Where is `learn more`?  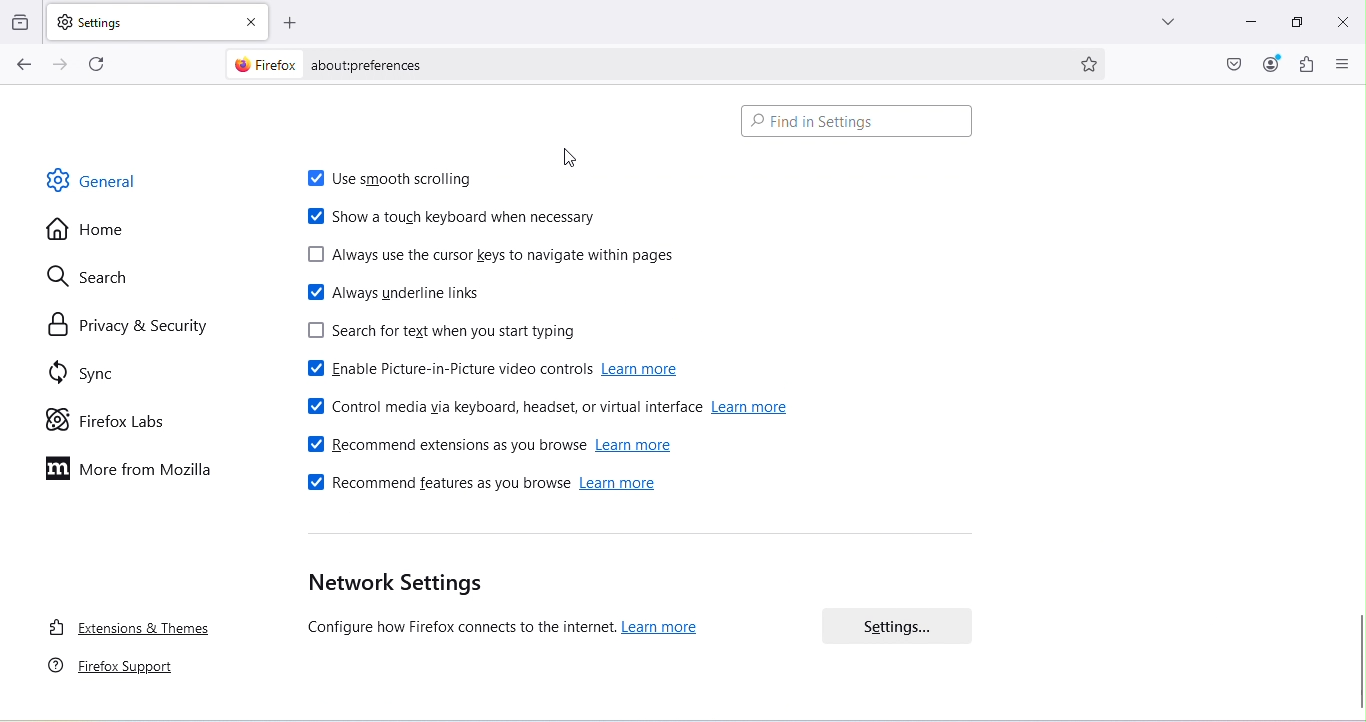 learn more is located at coordinates (757, 408).